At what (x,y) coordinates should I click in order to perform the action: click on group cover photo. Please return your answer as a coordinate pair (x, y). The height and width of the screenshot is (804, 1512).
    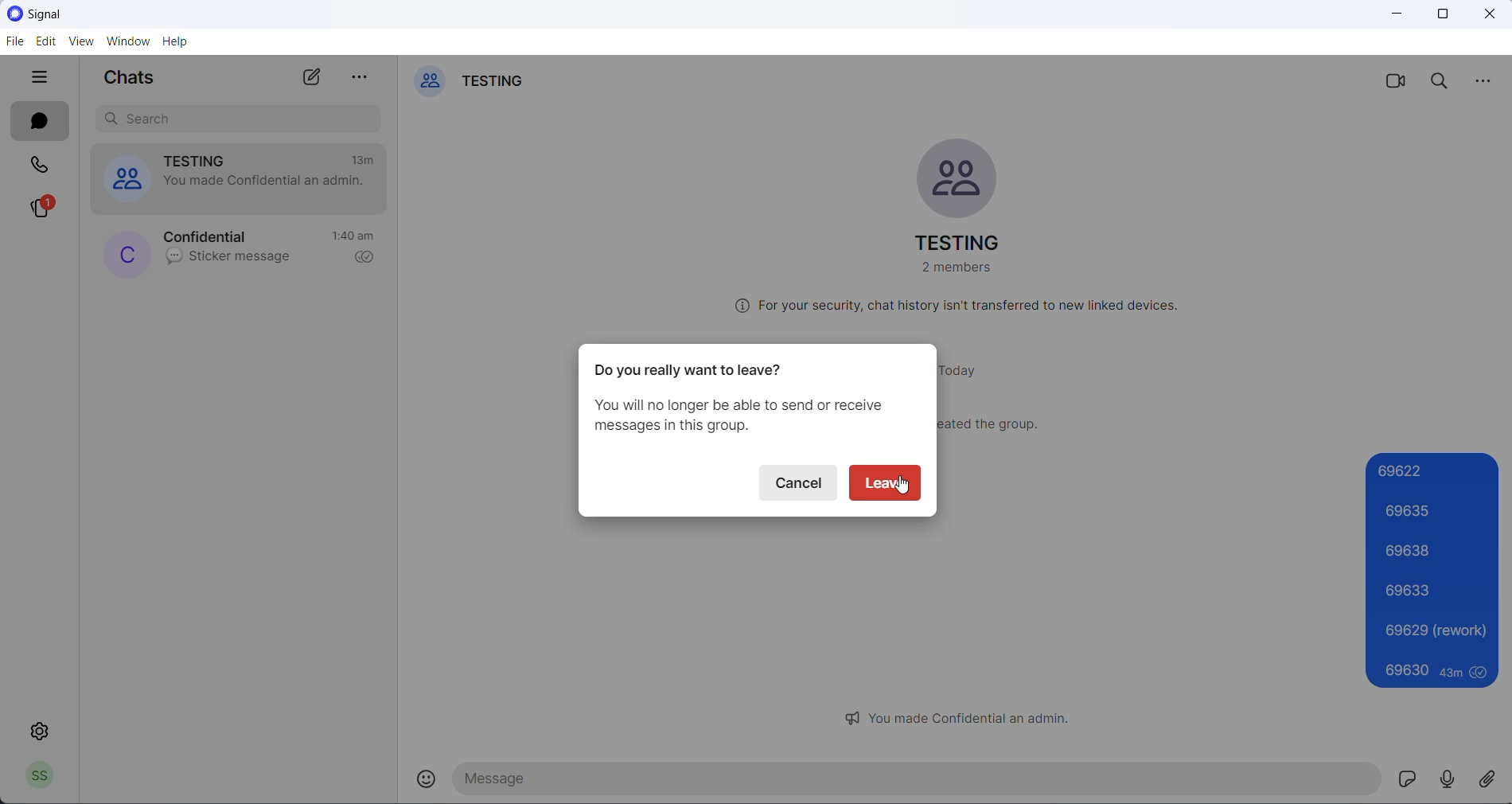
    Looking at the image, I should click on (125, 181).